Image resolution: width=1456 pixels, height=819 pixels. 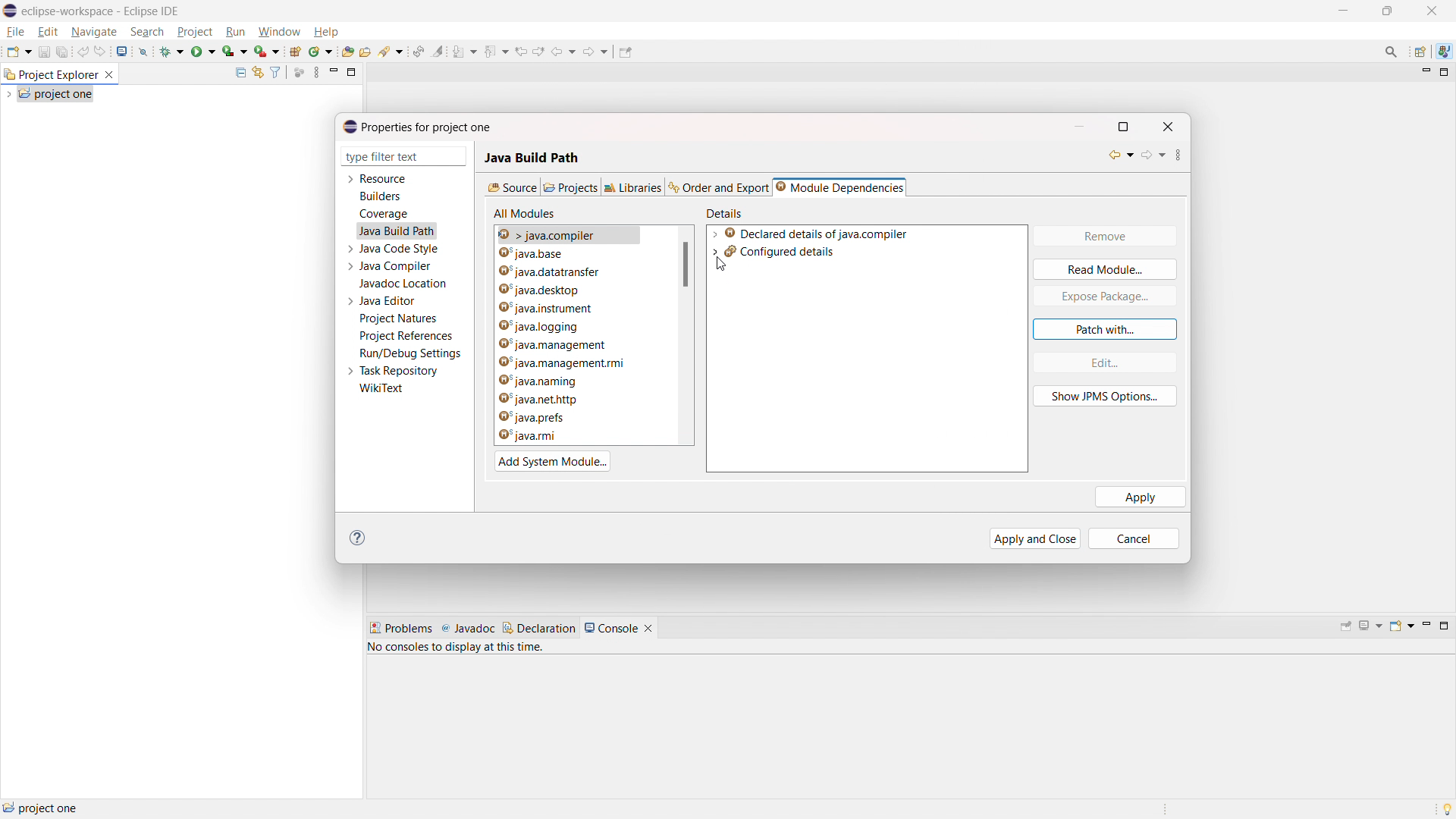 I want to click on apply, so click(x=1141, y=497).